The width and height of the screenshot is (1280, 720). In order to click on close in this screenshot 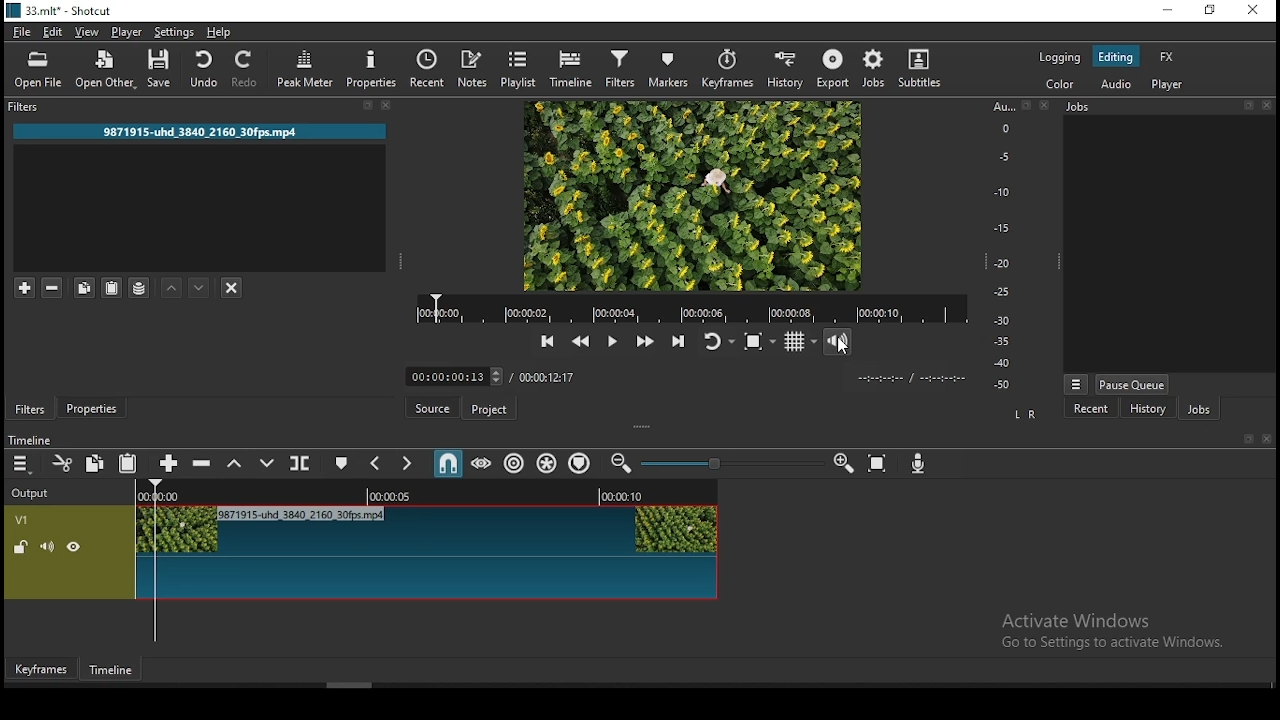, I will do `click(389, 106)`.